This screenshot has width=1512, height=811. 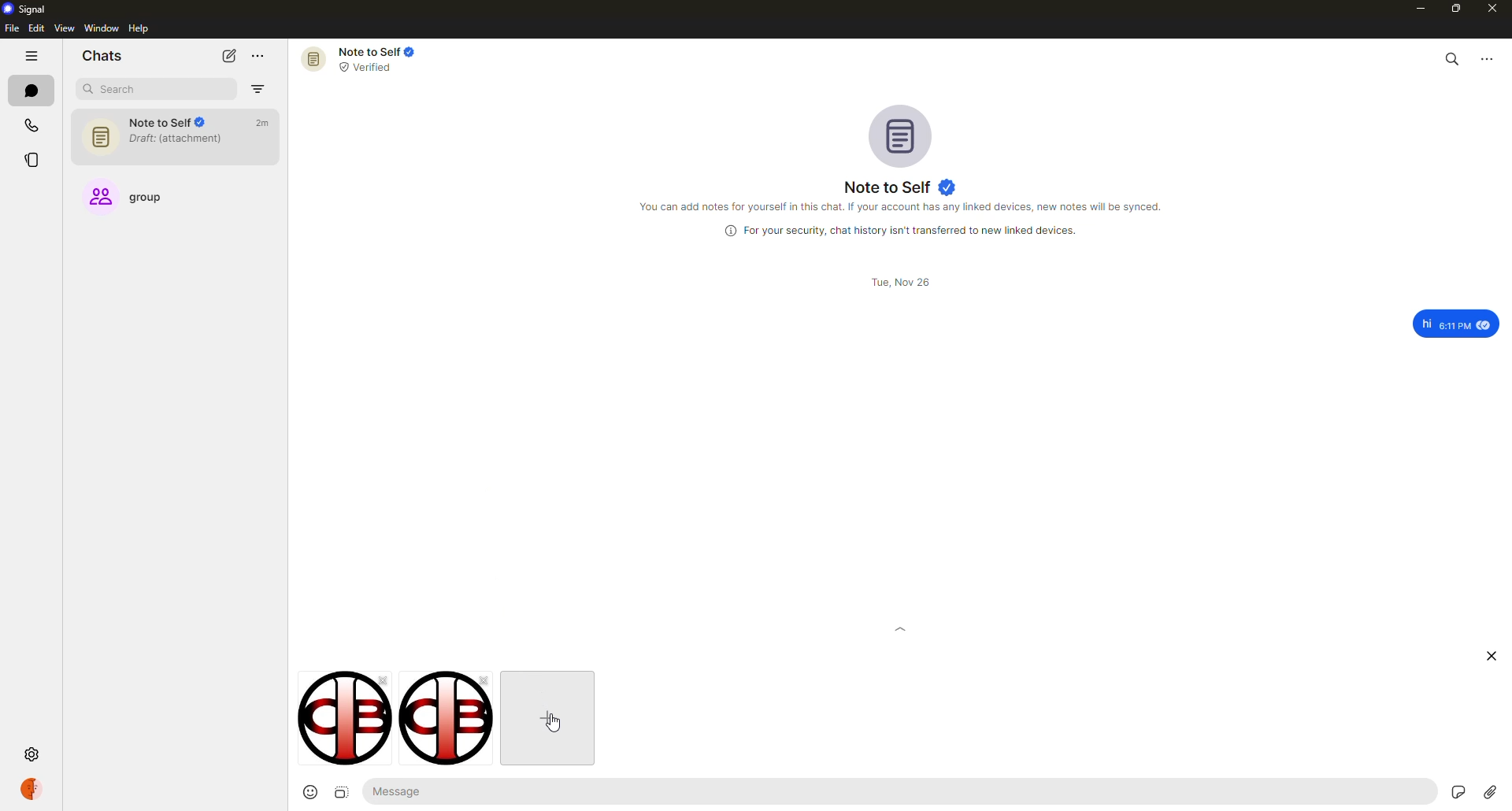 I want to click on note to self, so click(x=900, y=187).